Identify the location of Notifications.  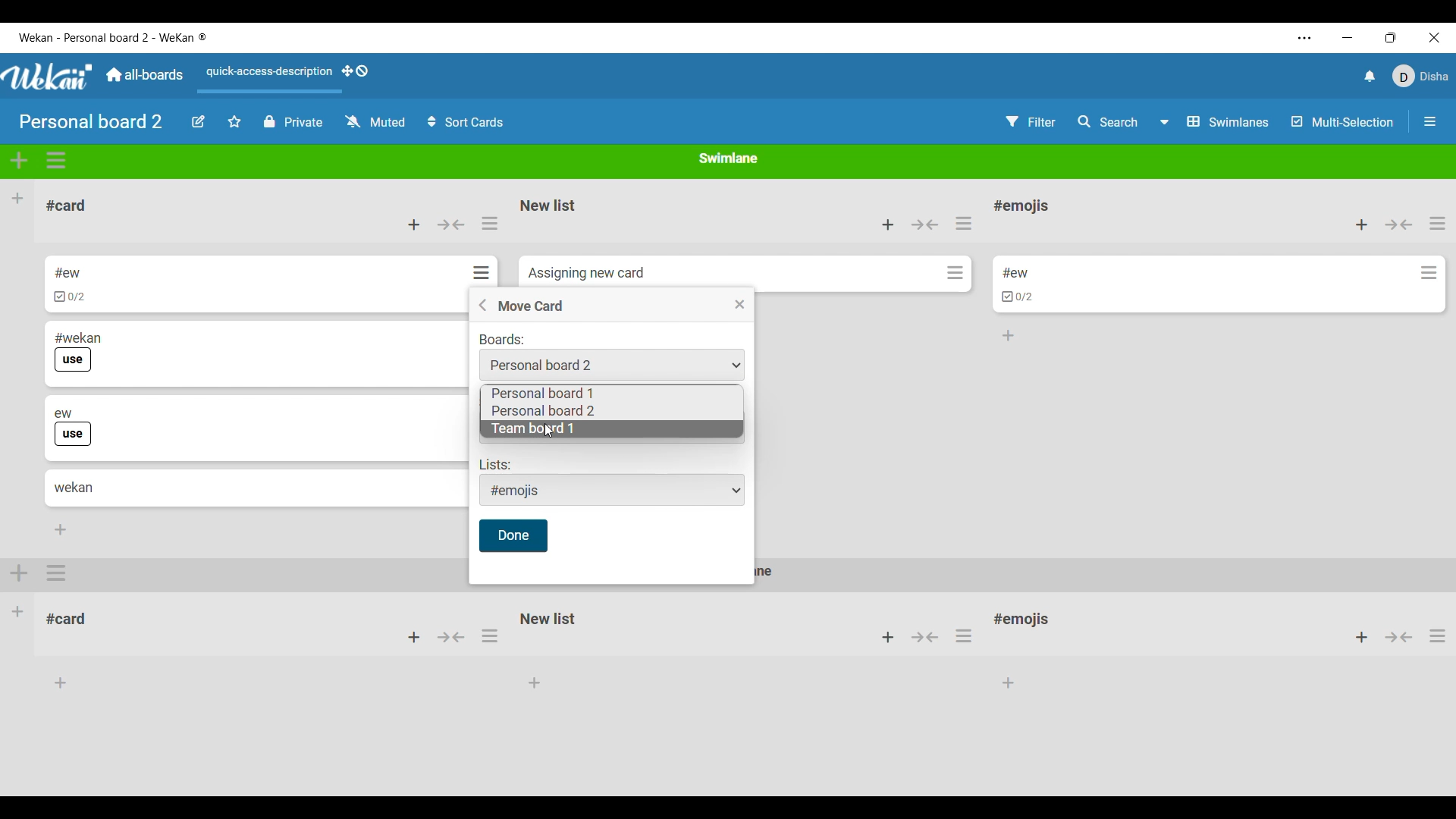
(1370, 76).